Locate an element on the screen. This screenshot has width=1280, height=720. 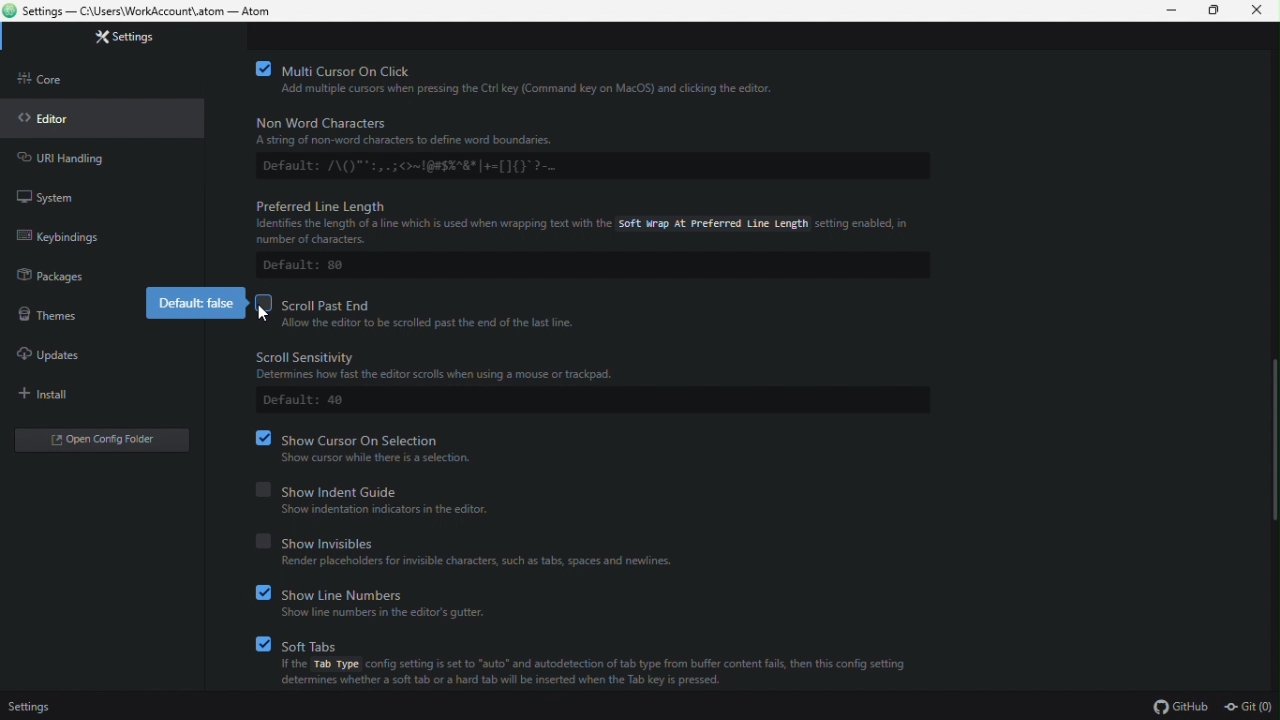
Show cursor on selection is located at coordinates (372, 437).